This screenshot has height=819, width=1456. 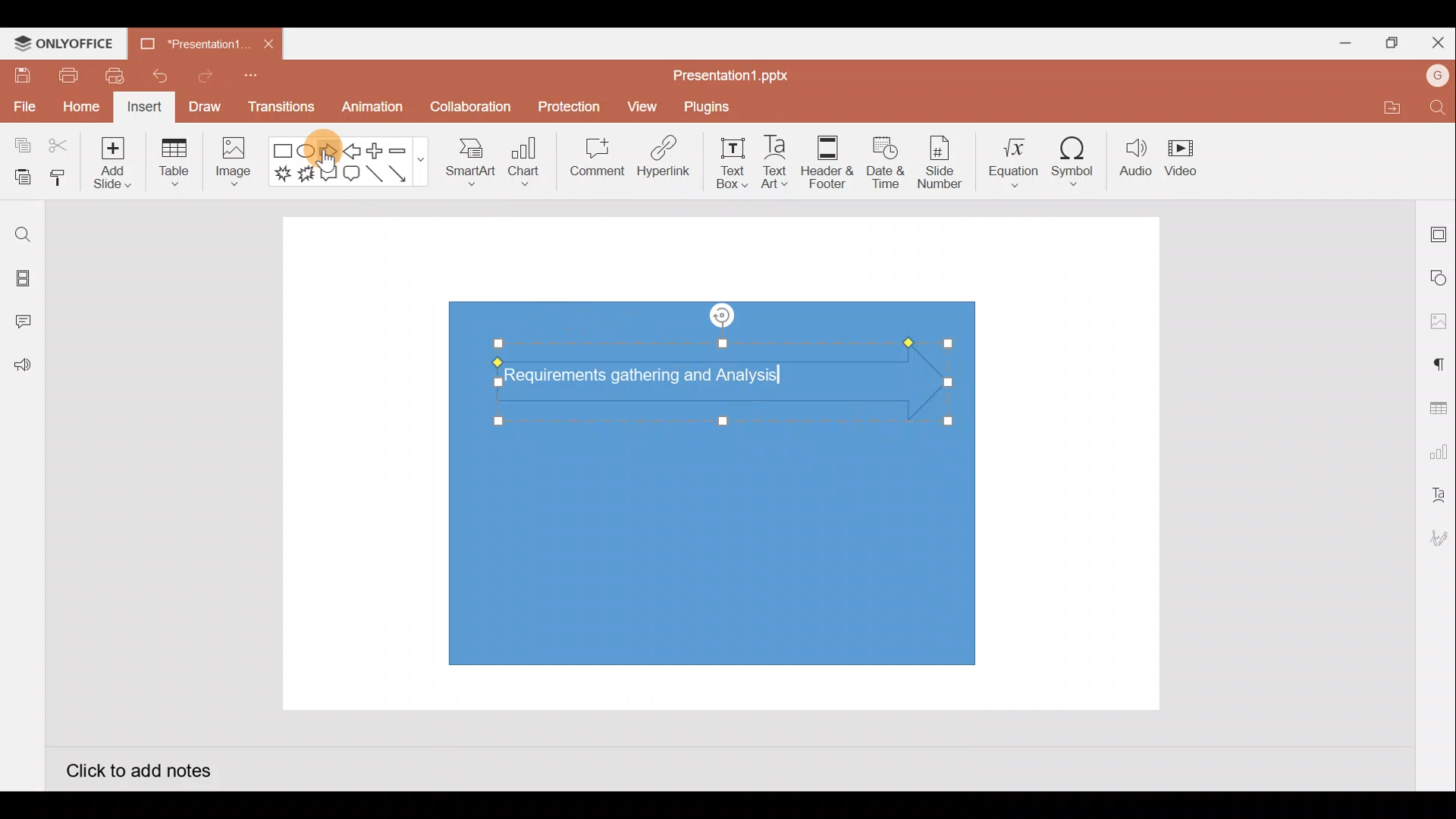 What do you see at coordinates (59, 146) in the screenshot?
I see `Cut` at bounding box center [59, 146].